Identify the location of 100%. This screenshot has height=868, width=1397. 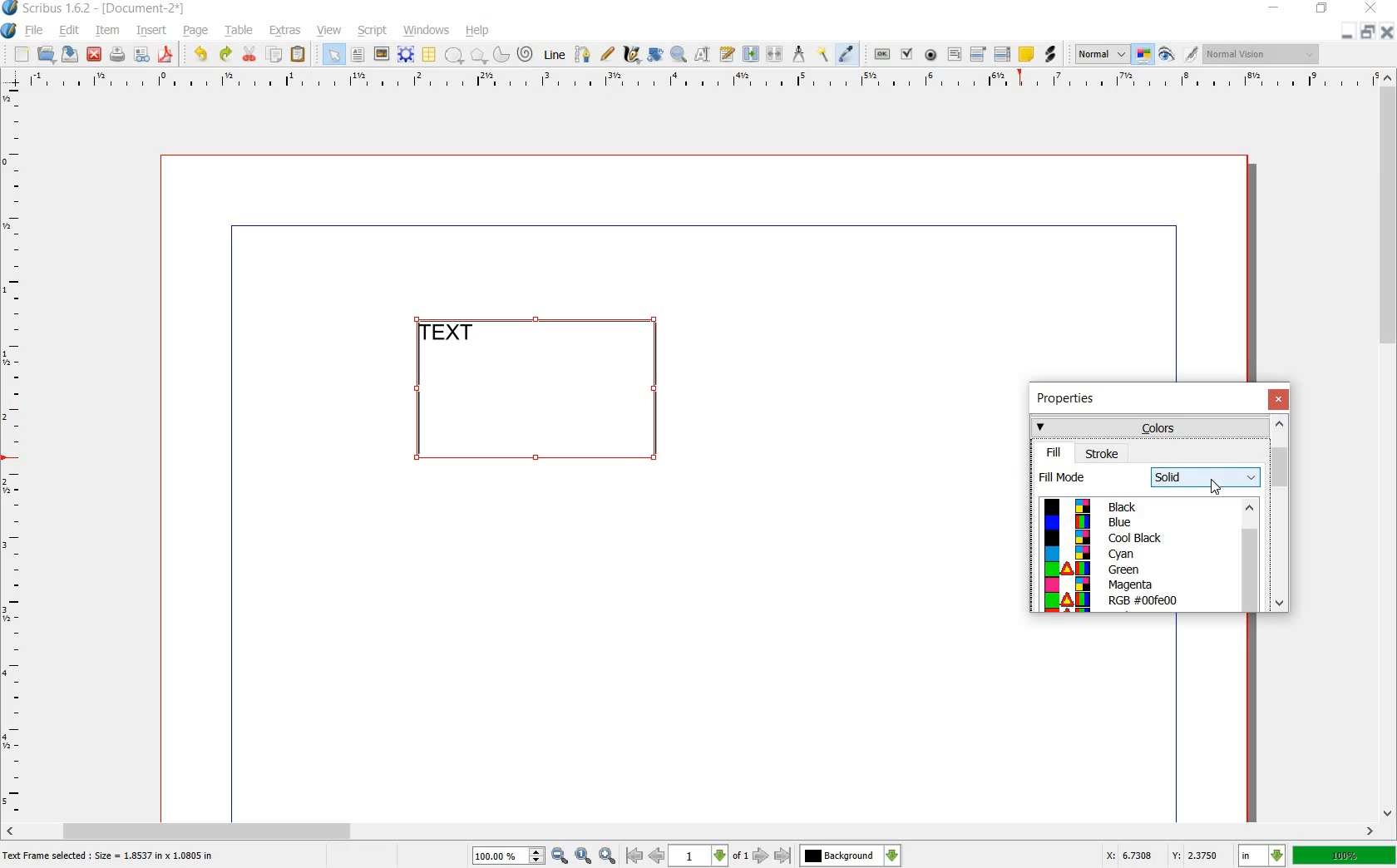
(500, 856).